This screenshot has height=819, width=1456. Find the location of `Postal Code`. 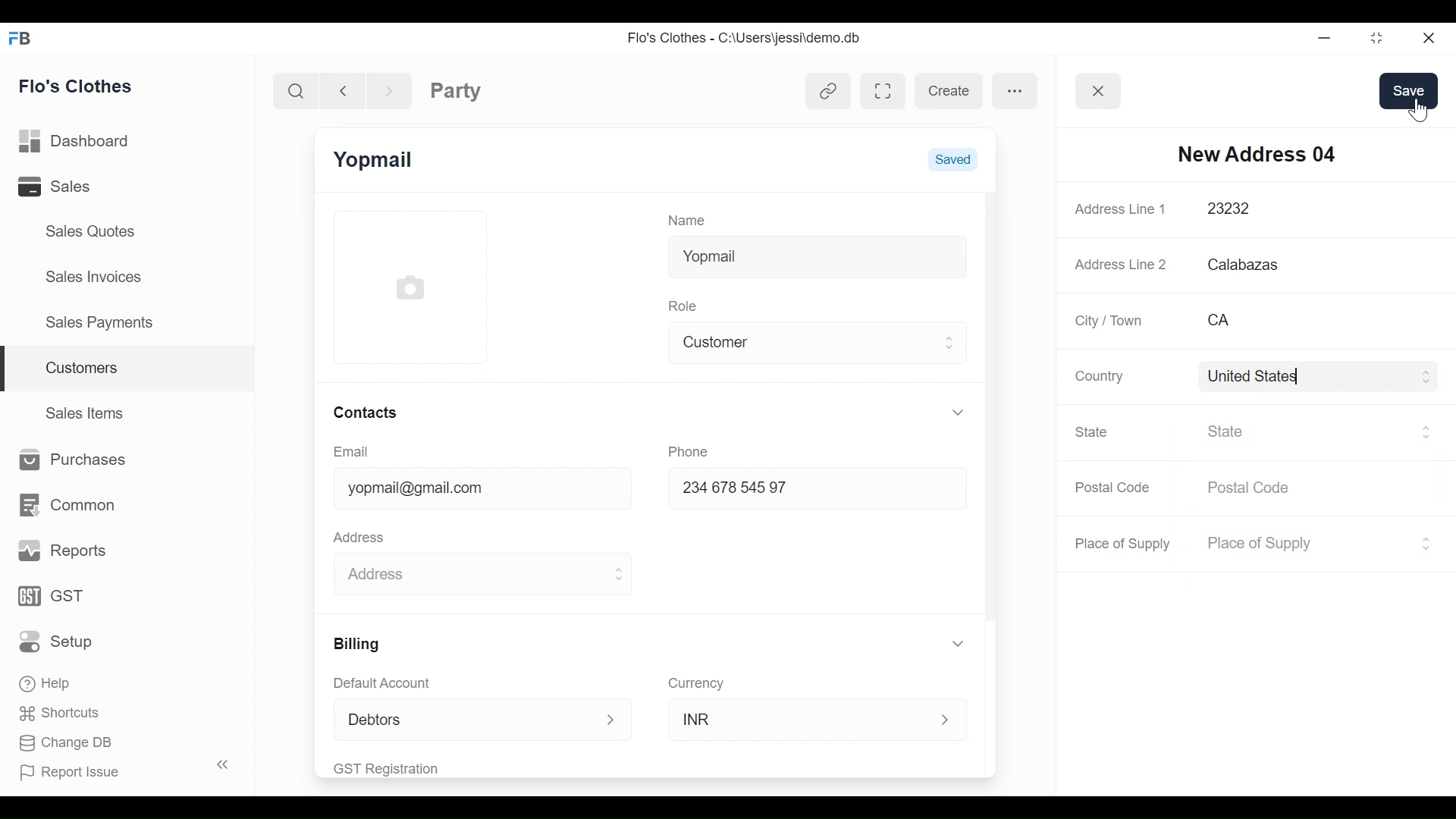

Postal Code is located at coordinates (1115, 488).